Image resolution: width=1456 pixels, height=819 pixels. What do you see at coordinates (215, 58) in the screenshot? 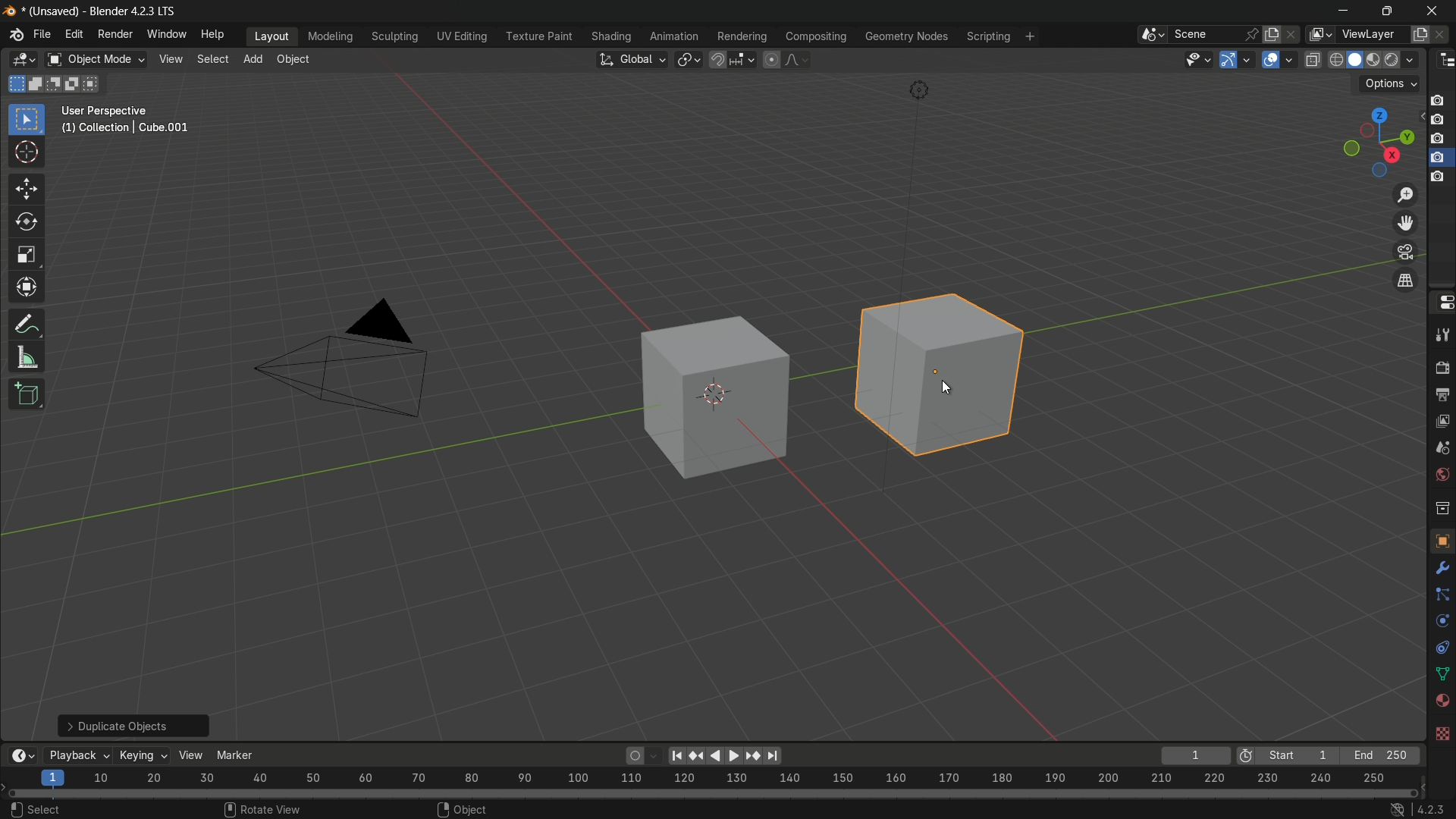
I see `select tab` at bounding box center [215, 58].